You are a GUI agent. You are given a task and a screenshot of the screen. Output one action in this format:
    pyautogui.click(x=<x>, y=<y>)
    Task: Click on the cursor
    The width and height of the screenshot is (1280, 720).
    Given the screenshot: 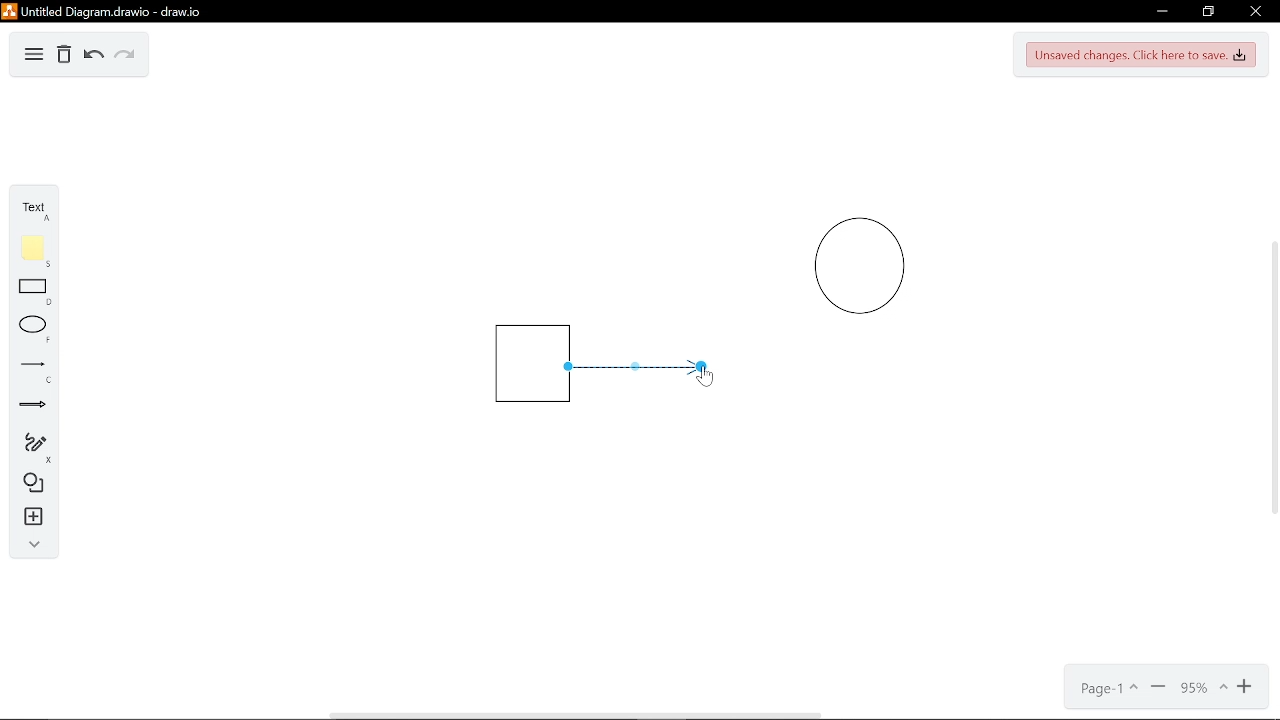 What is the action you would take?
    pyautogui.click(x=706, y=374)
    